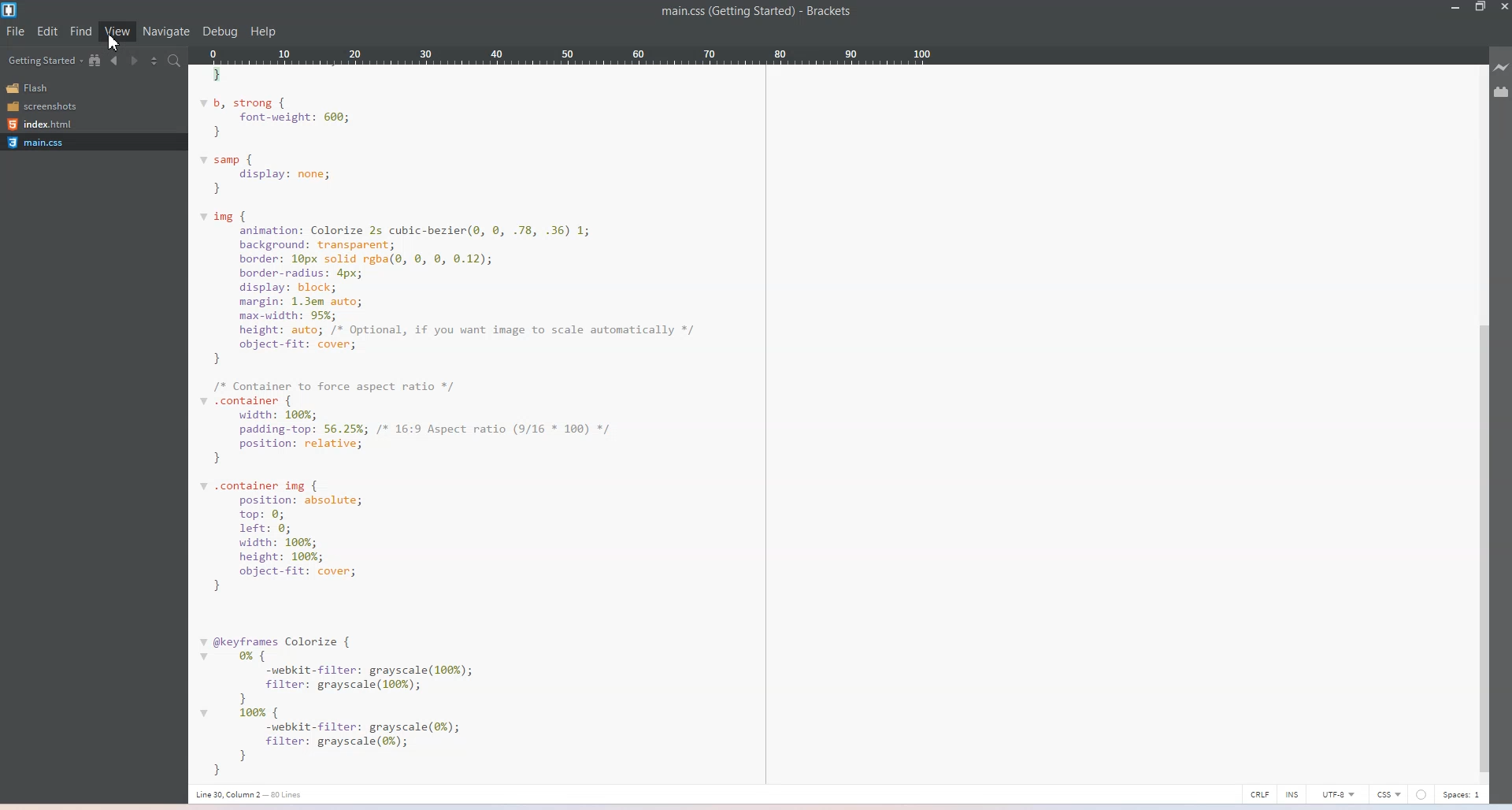  I want to click on Minimize, so click(1456, 8).